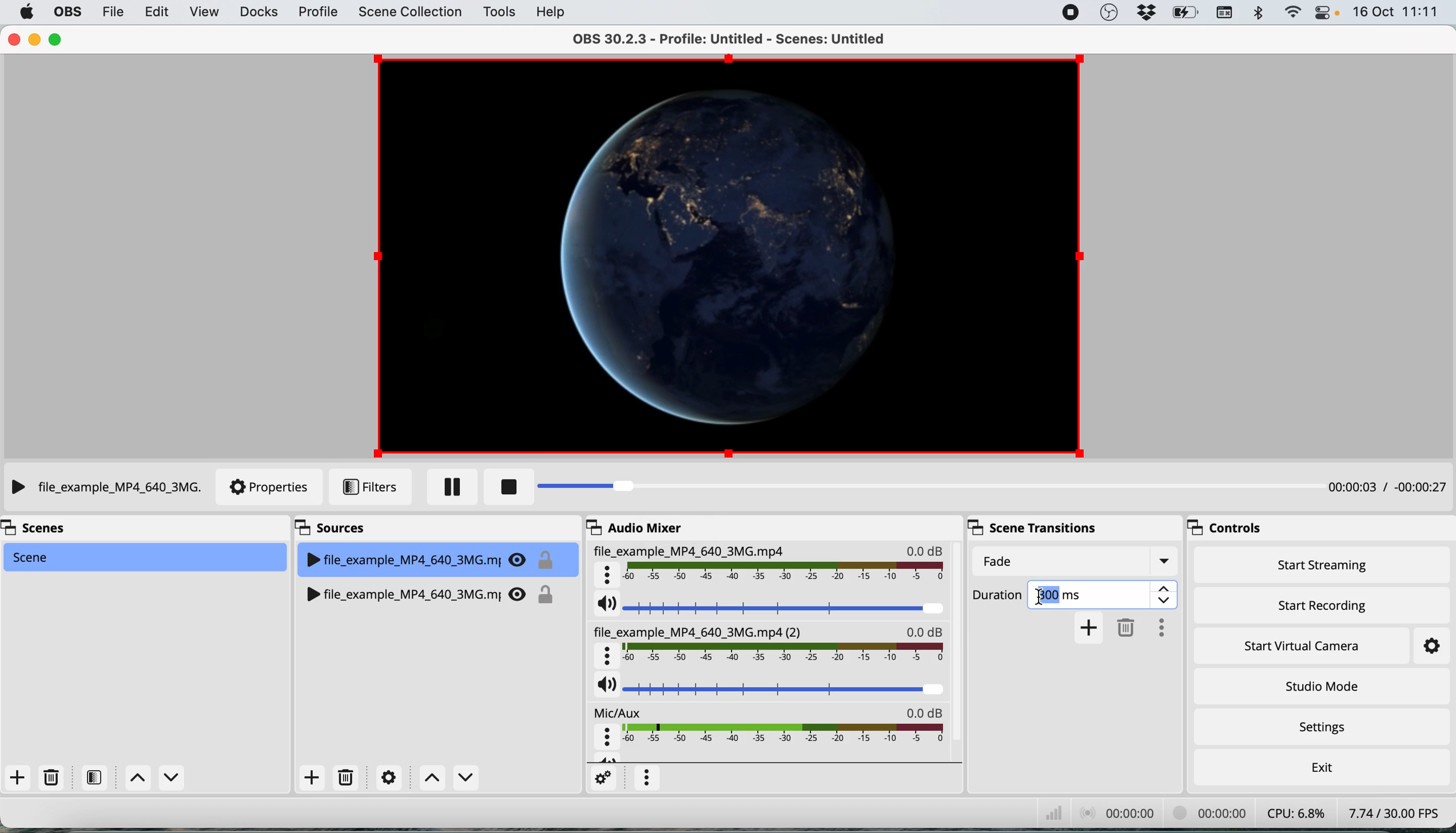 This screenshot has width=1456, height=833. I want to click on sources, so click(338, 526).